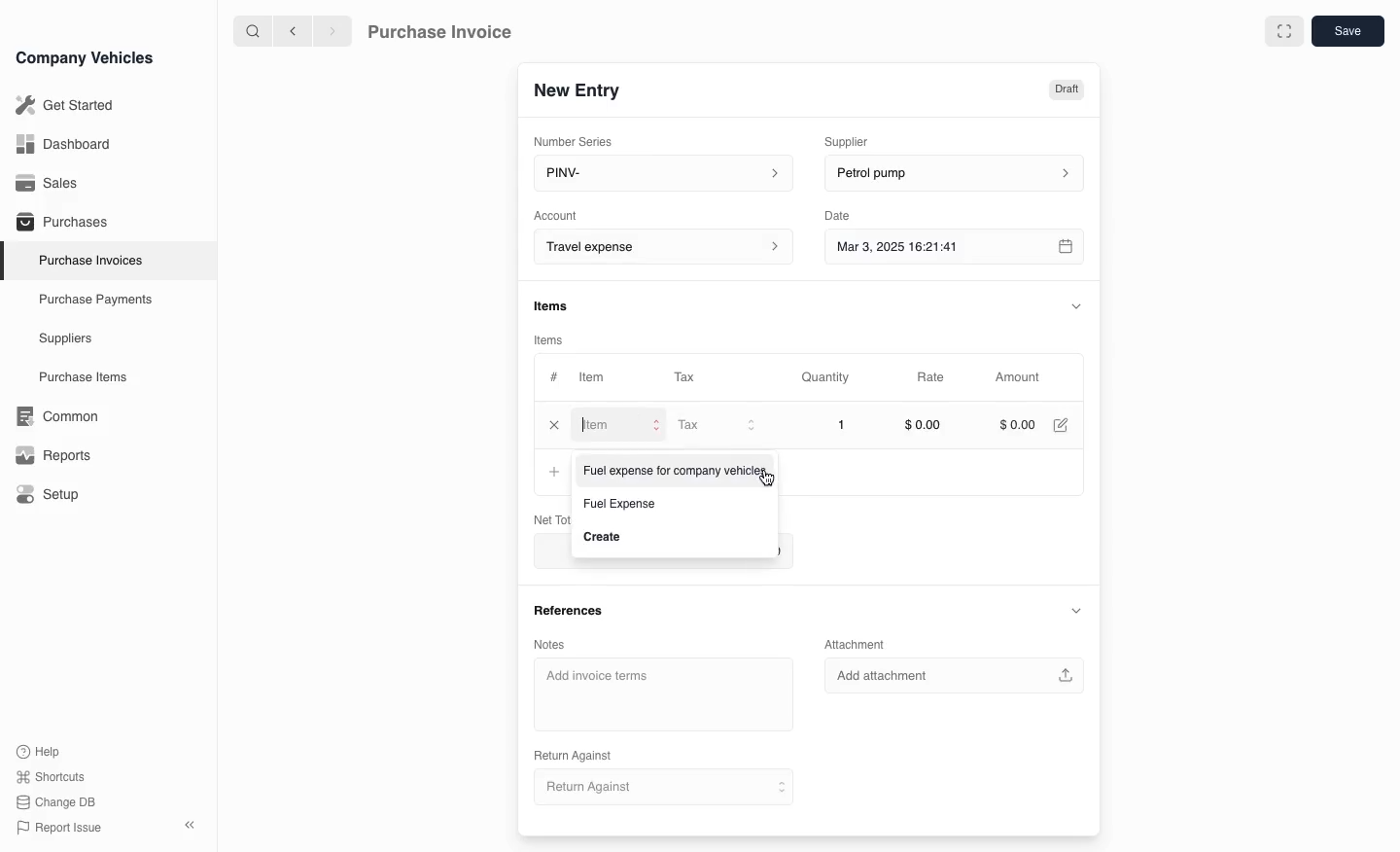 The width and height of the screenshot is (1400, 852). Describe the element at coordinates (579, 754) in the screenshot. I see `Return Against` at that location.